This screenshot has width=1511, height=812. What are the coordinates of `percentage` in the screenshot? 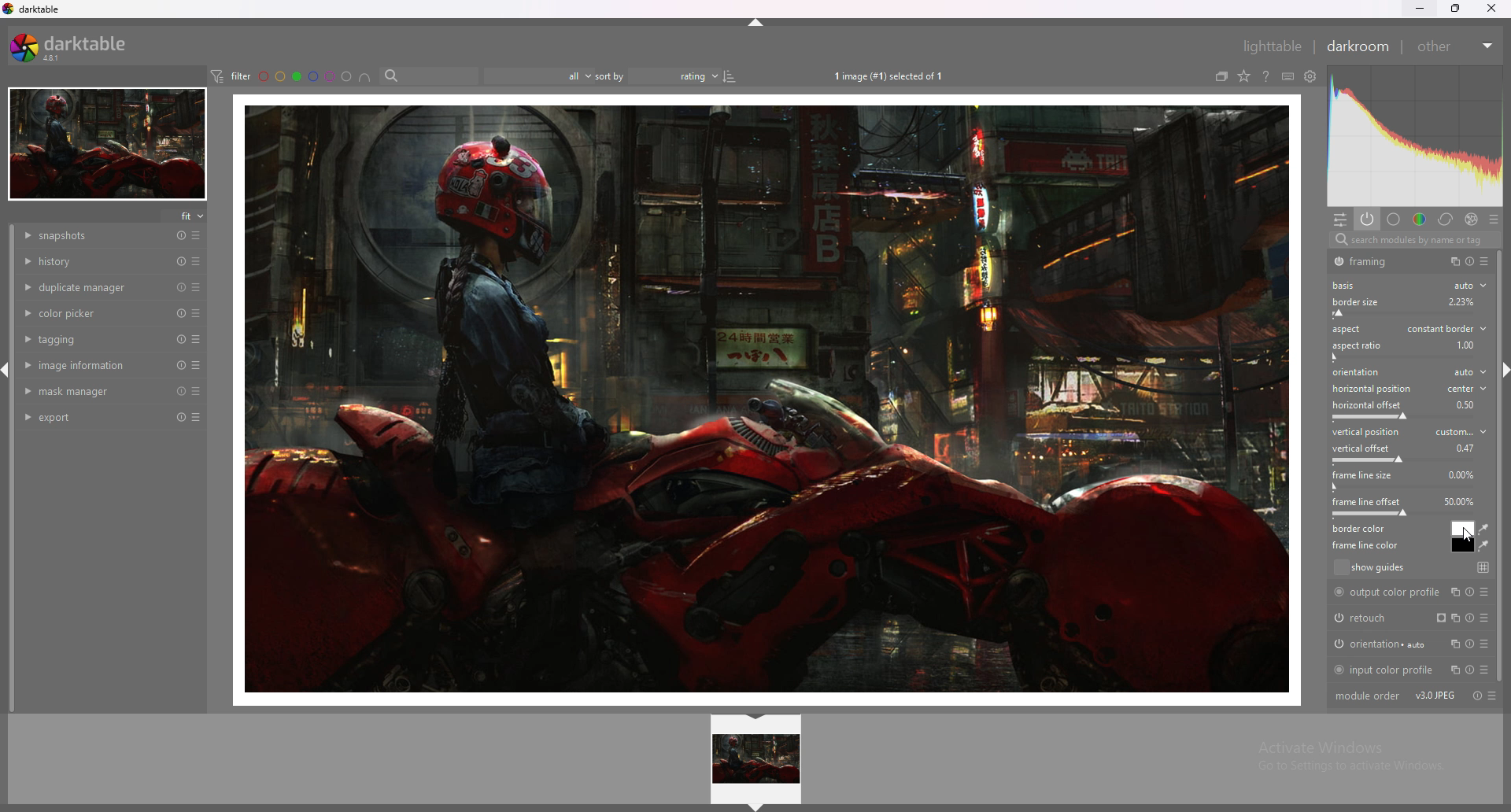 It's located at (1465, 447).